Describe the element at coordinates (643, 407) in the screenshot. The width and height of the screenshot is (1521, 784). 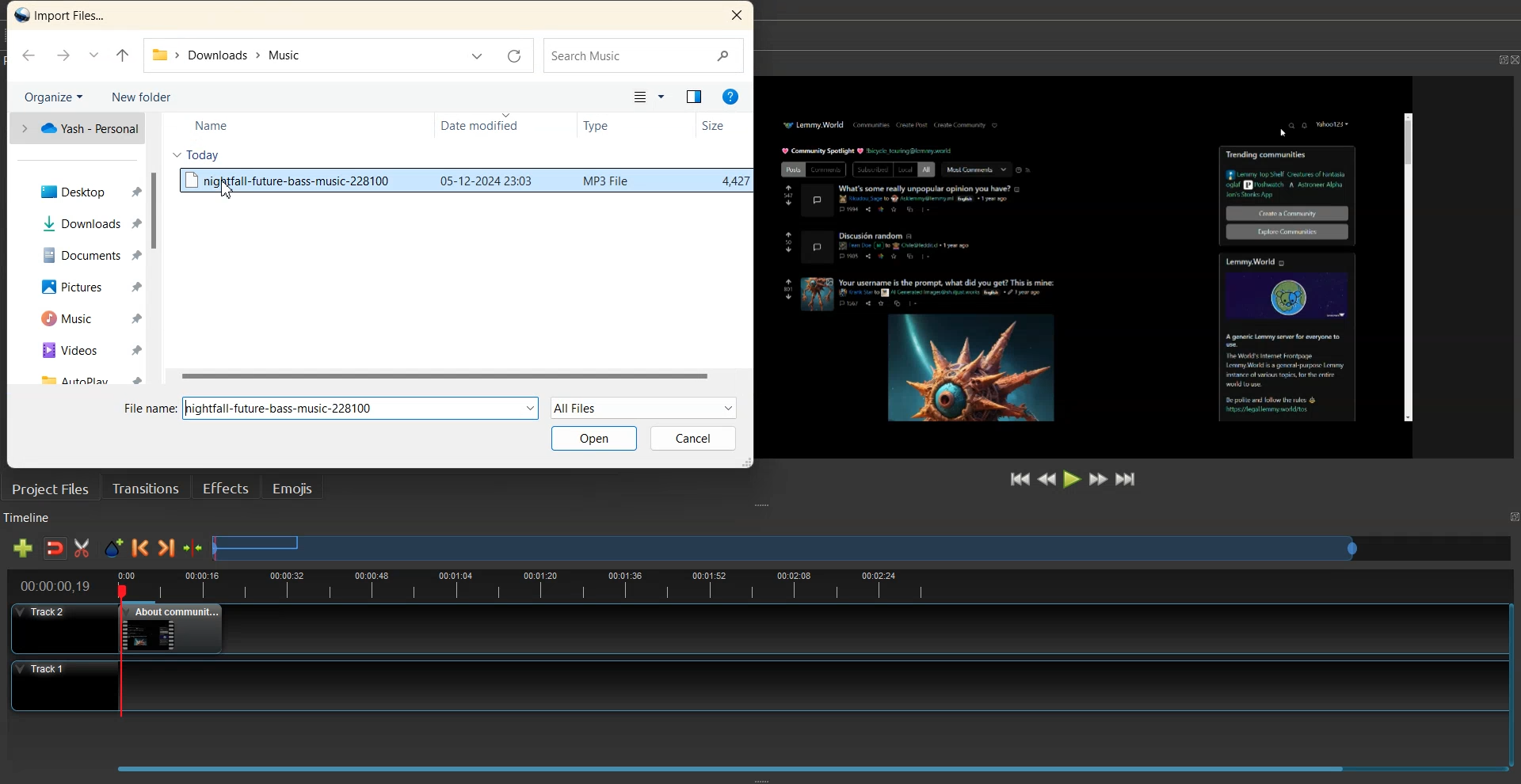
I see `All Files` at that location.